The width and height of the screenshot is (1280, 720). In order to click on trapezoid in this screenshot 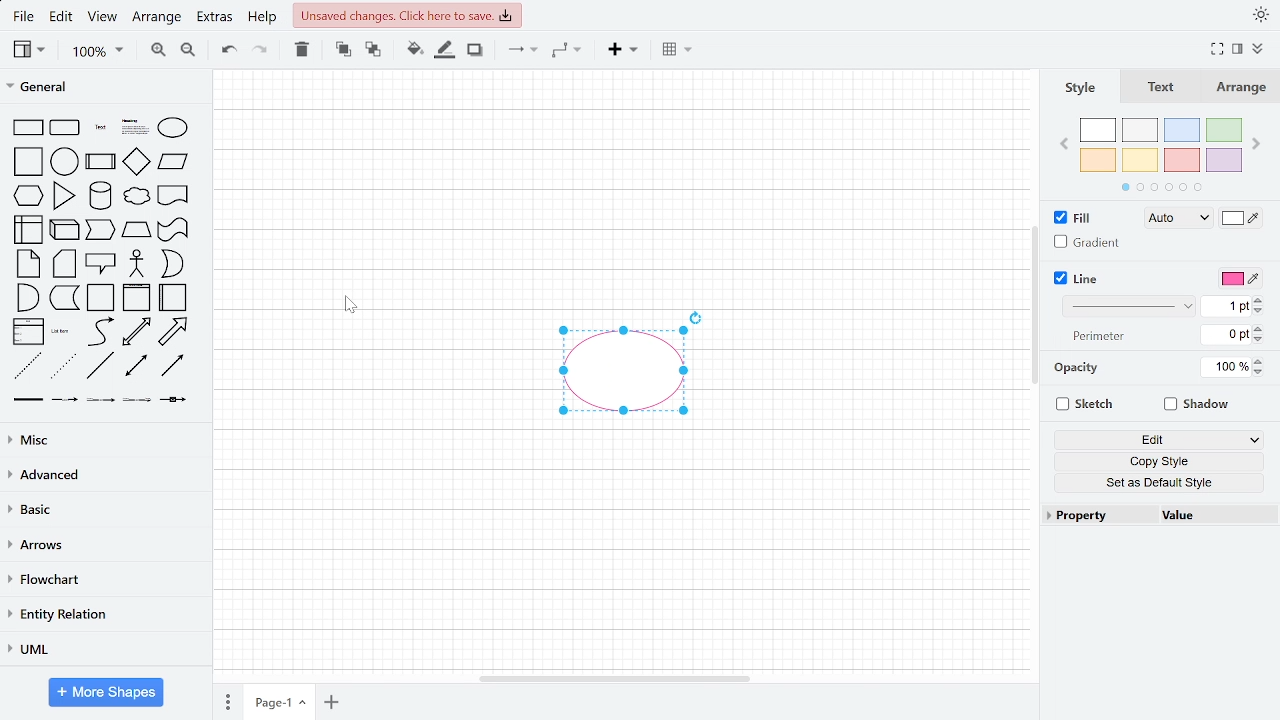, I will do `click(137, 230)`.